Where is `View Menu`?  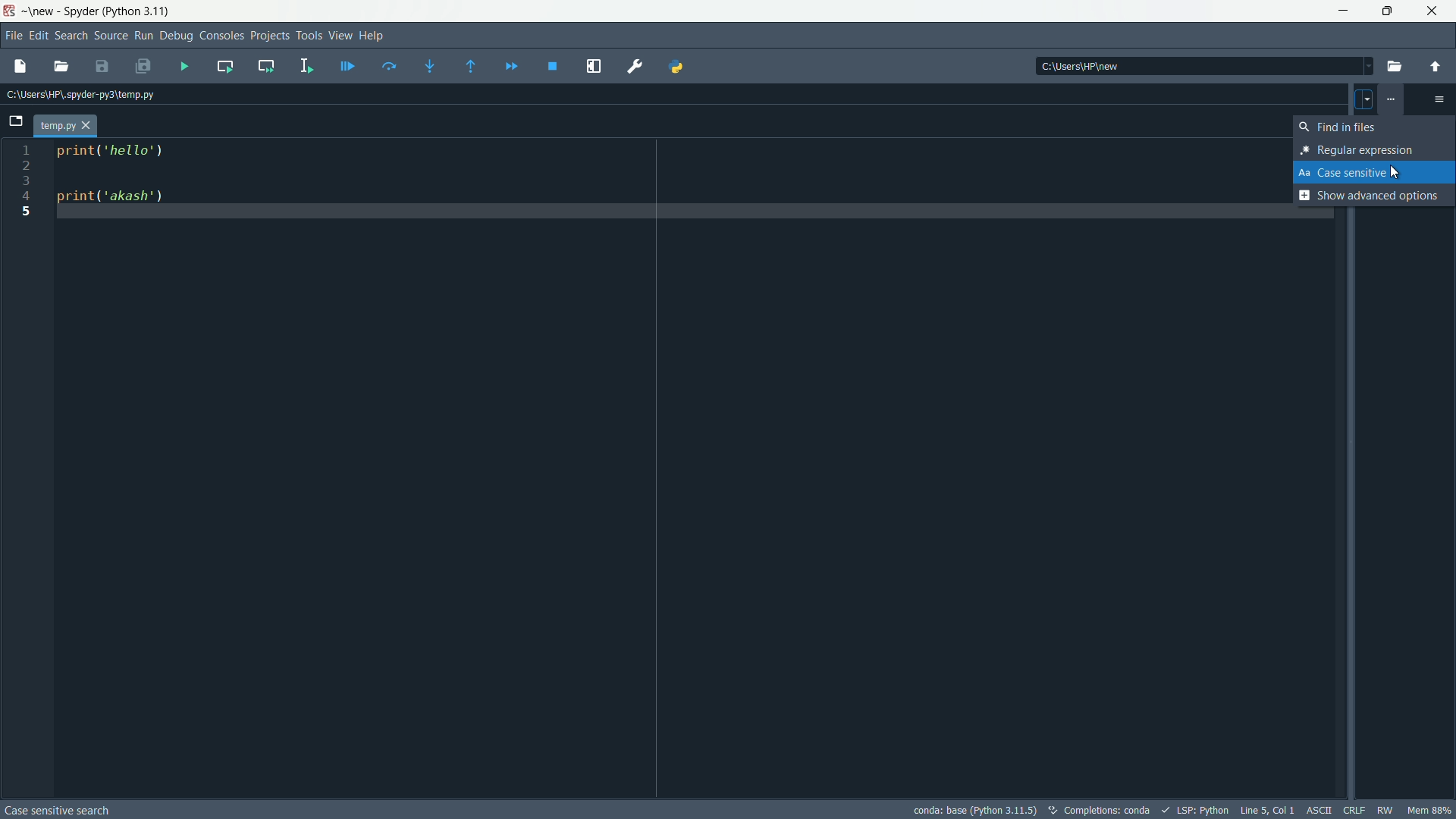
View Menu is located at coordinates (338, 35).